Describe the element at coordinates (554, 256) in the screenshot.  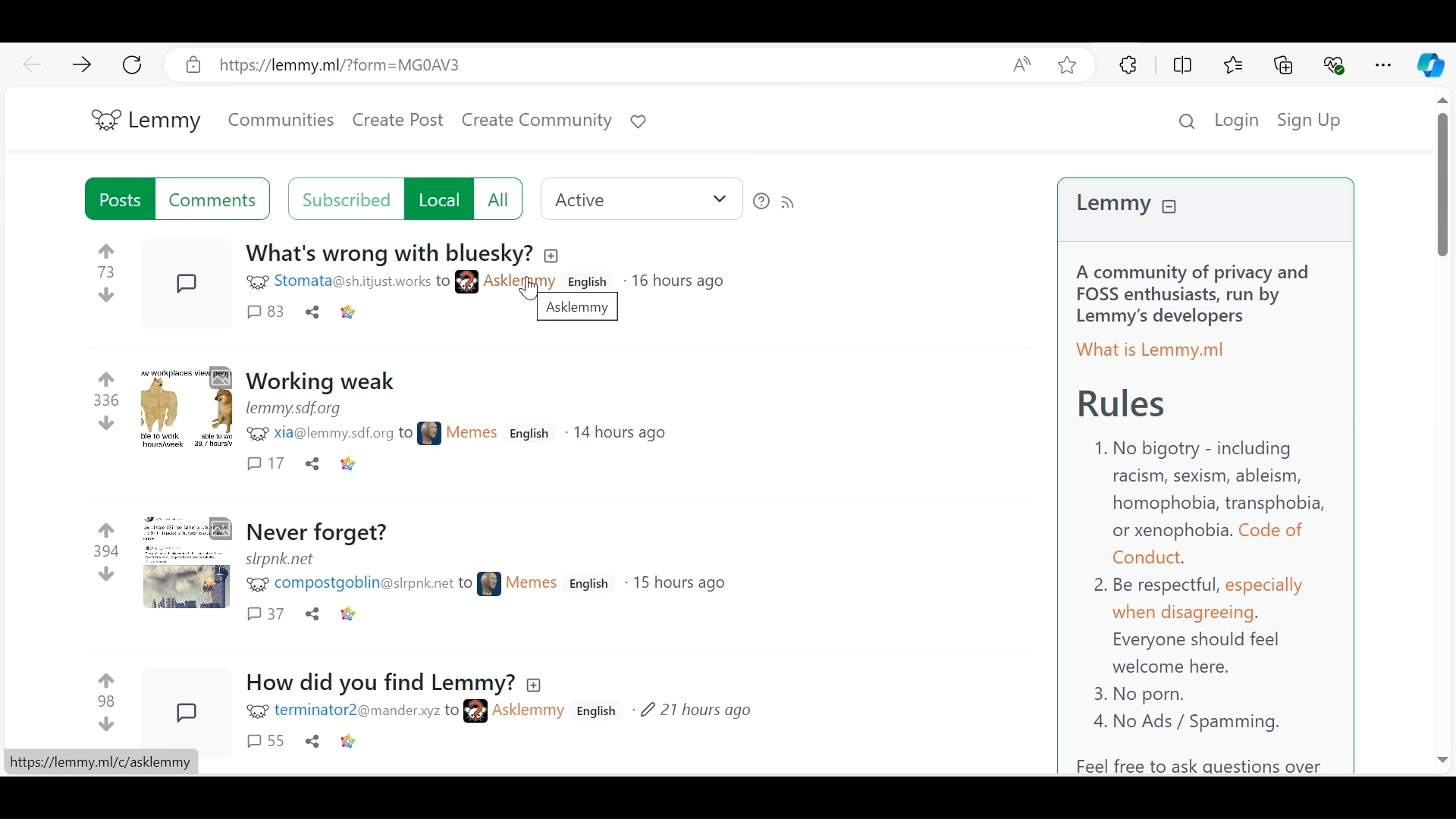
I see `` at that location.